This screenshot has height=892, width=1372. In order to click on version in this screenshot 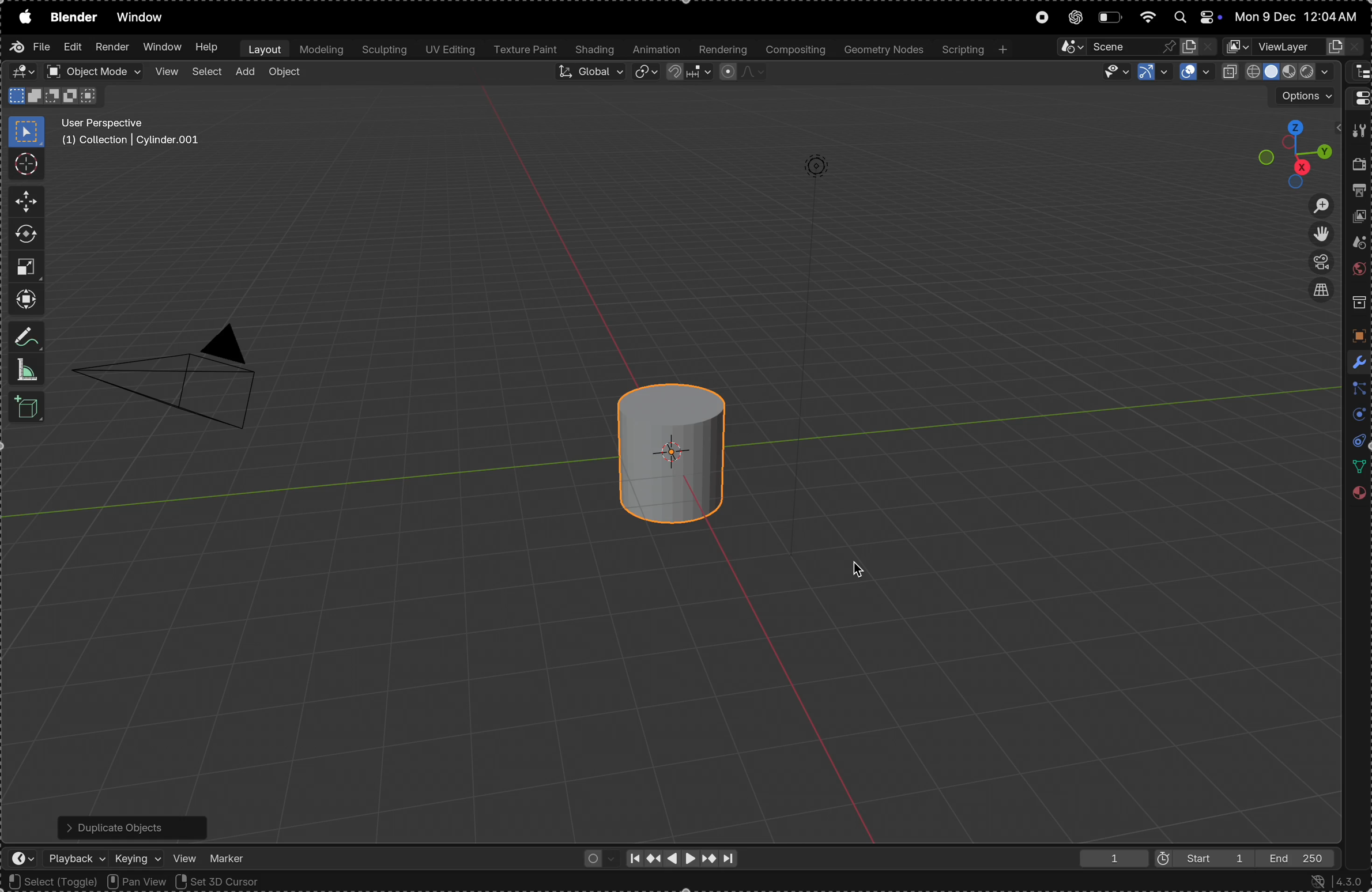, I will do `click(1339, 881)`.